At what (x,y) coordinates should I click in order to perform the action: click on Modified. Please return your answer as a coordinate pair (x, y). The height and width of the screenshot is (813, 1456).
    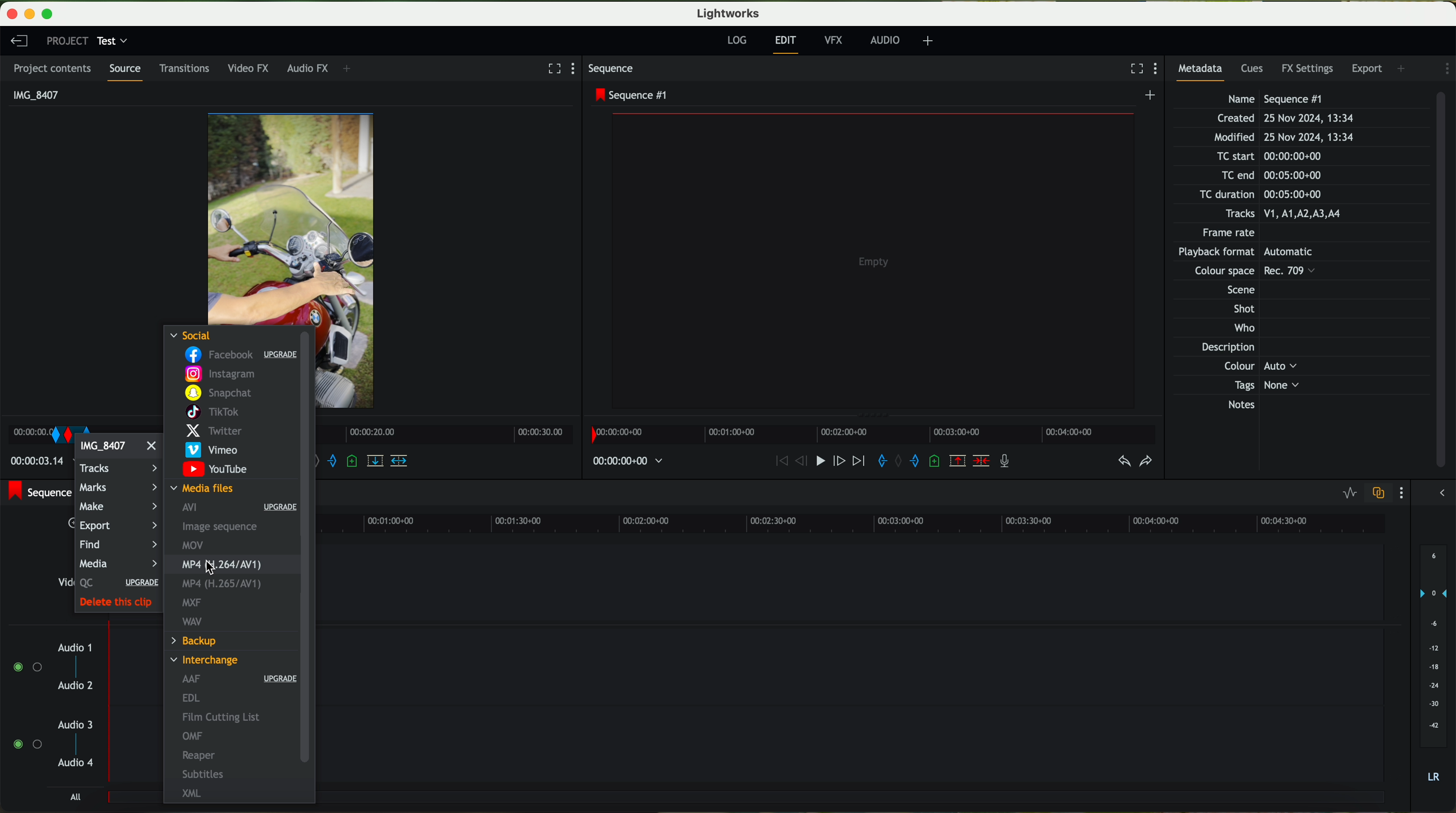
    Looking at the image, I should click on (1282, 138).